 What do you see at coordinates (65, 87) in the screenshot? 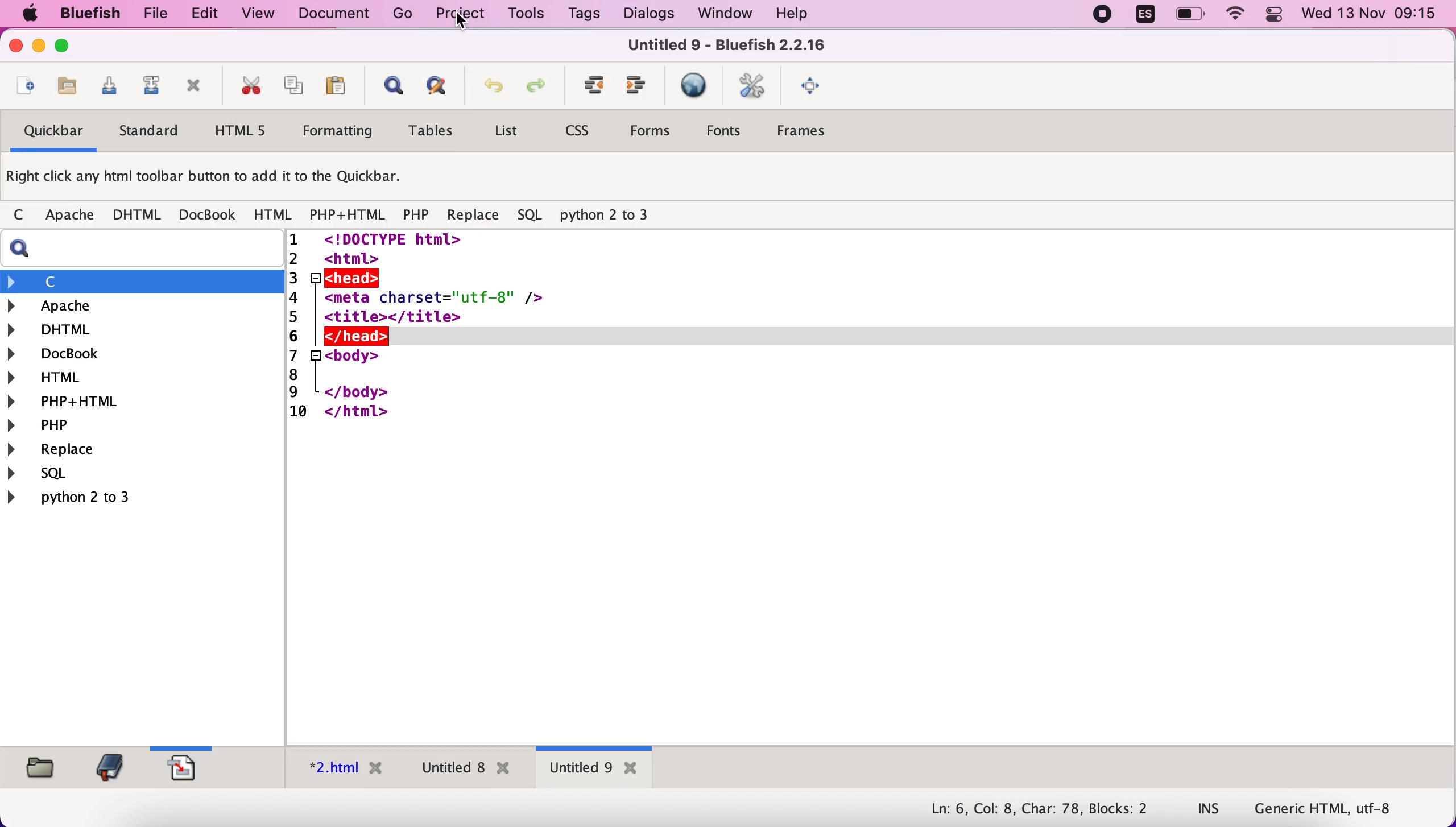
I see `save file` at bounding box center [65, 87].